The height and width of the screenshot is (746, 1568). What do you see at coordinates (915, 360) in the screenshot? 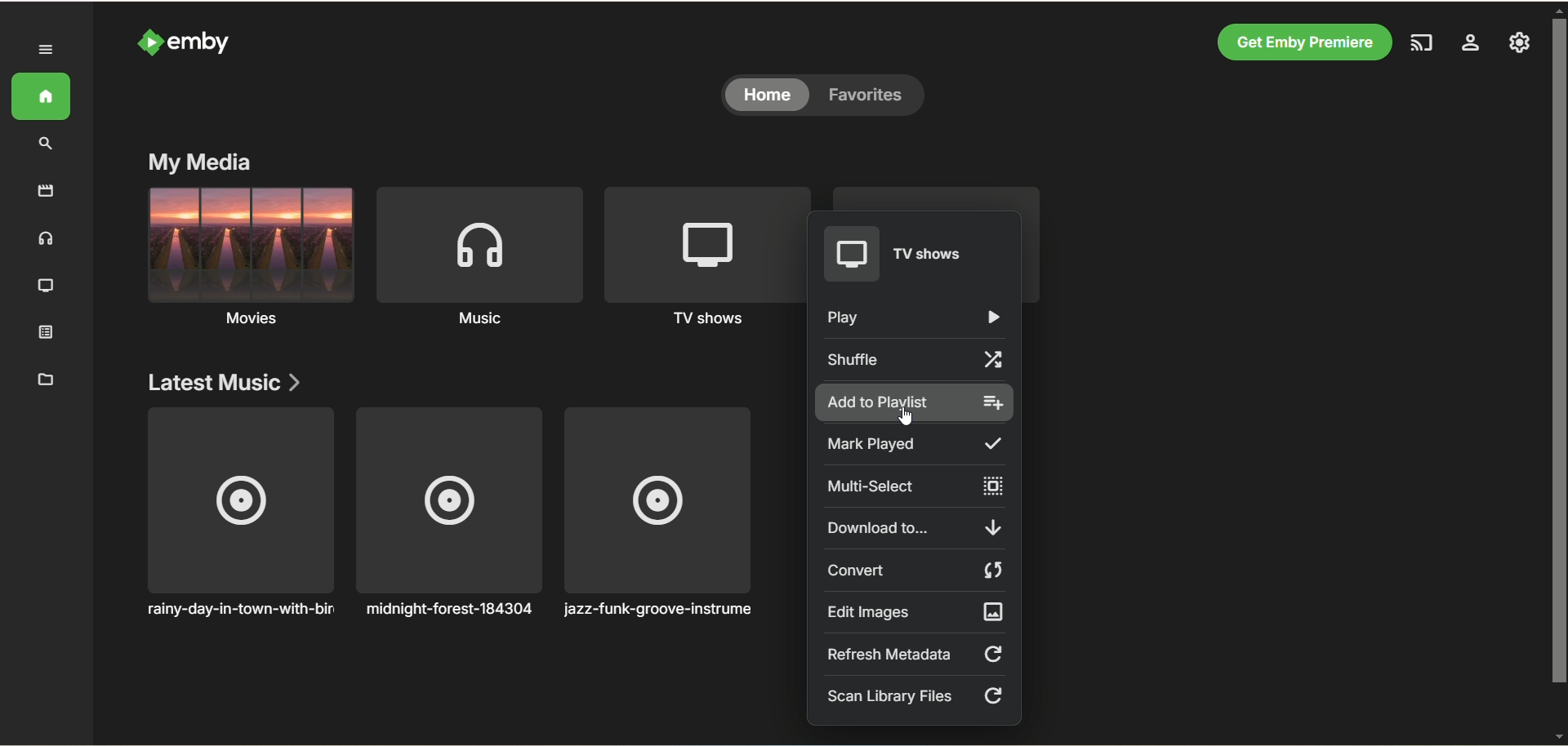
I see `Shuffle` at bounding box center [915, 360].